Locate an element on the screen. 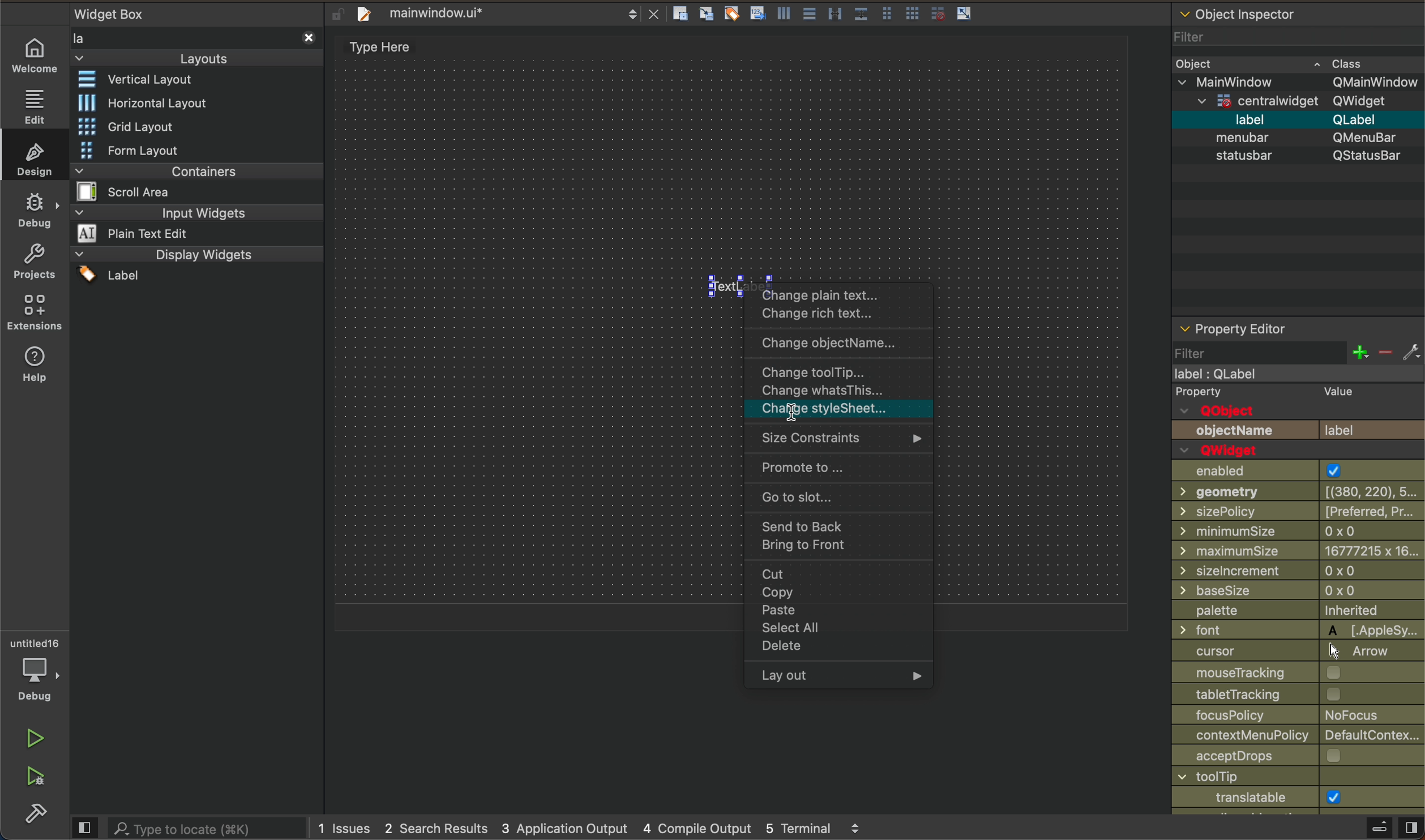 The height and width of the screenshot is (840, 1425). cursor is located at coordinates (789, 418).